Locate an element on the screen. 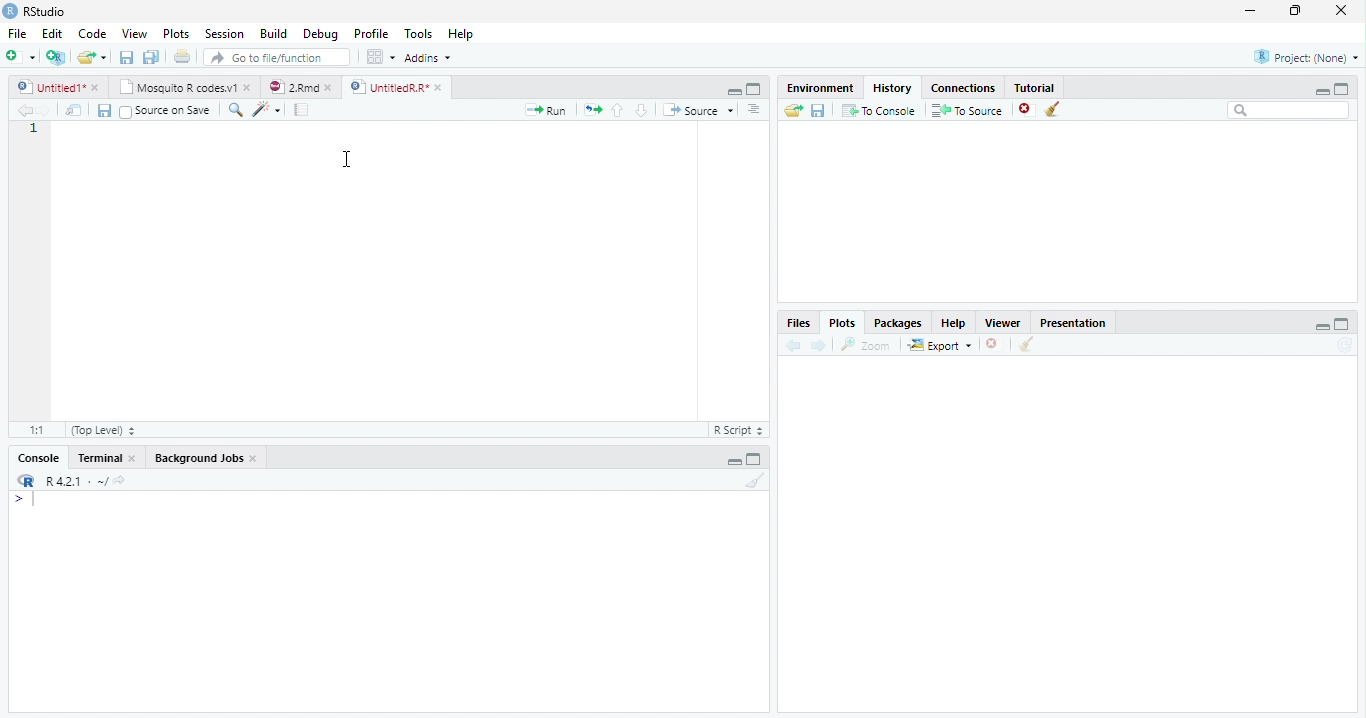 The height and width of the screenshot is (718, 1366). Delete is located at coordinates (992, 343).